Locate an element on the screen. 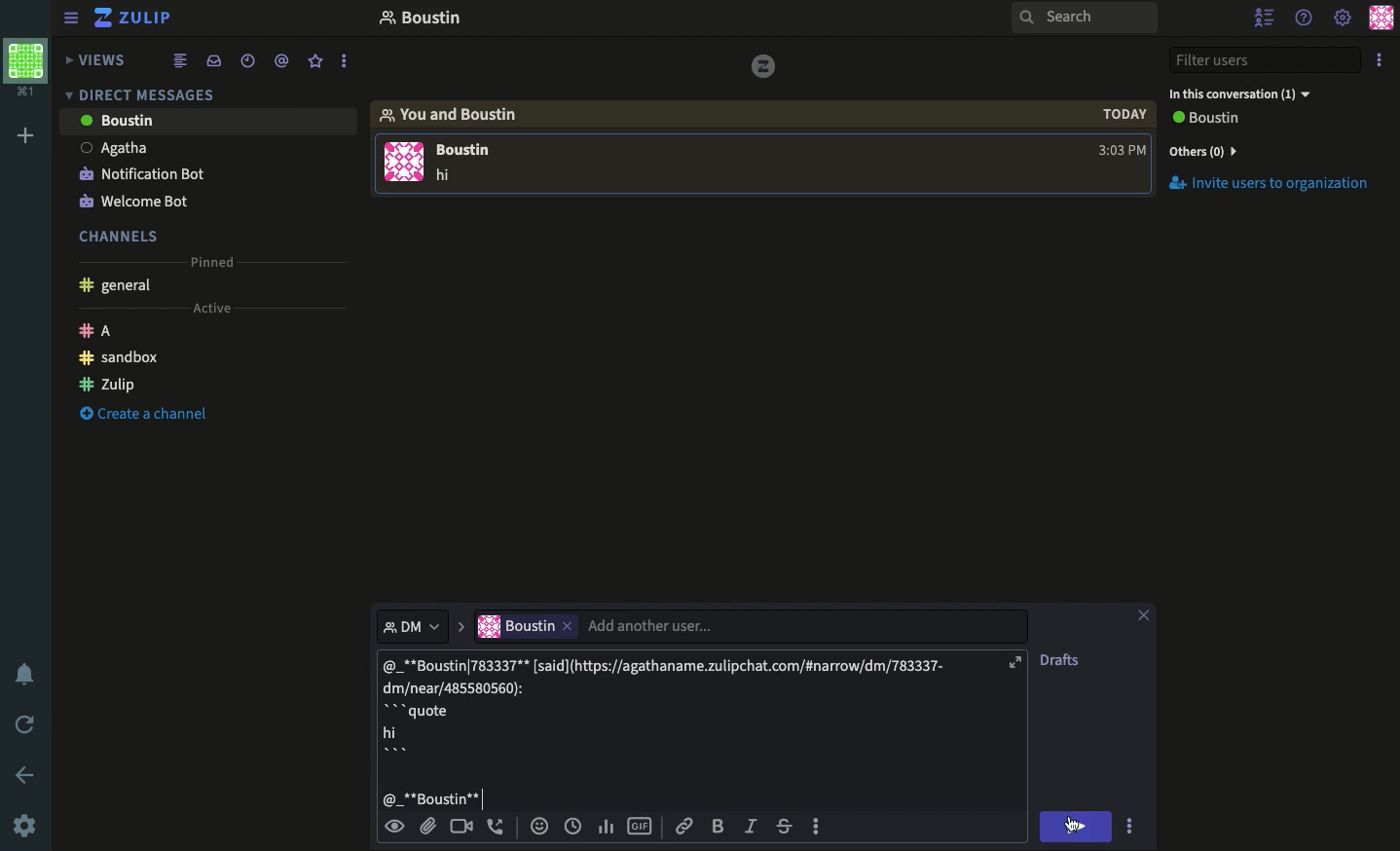 The image size is (1400, 851). In this conversation is located at coordinates (1254, 92).